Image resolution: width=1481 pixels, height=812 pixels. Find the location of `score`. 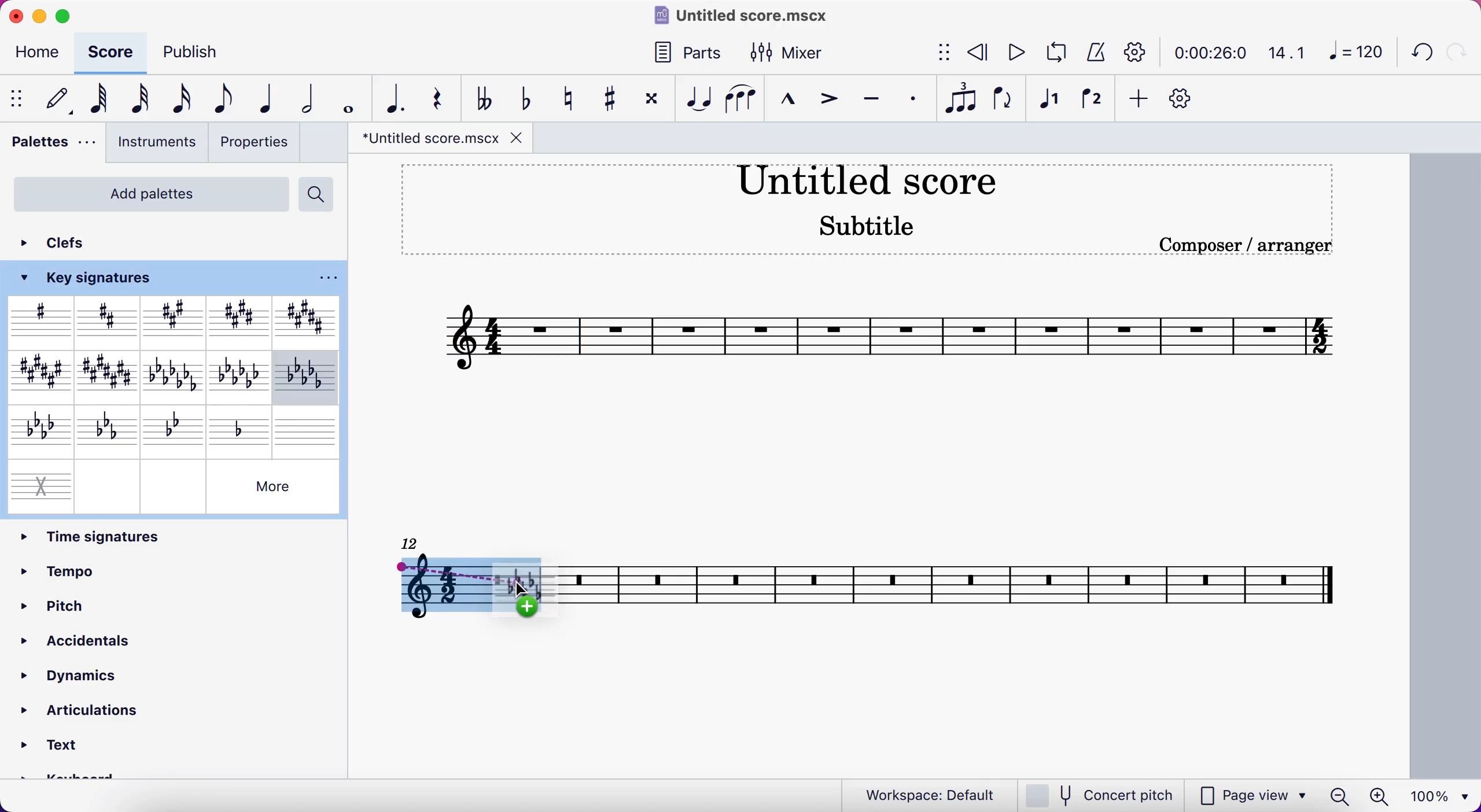

score is located at coordinates (113, 53).